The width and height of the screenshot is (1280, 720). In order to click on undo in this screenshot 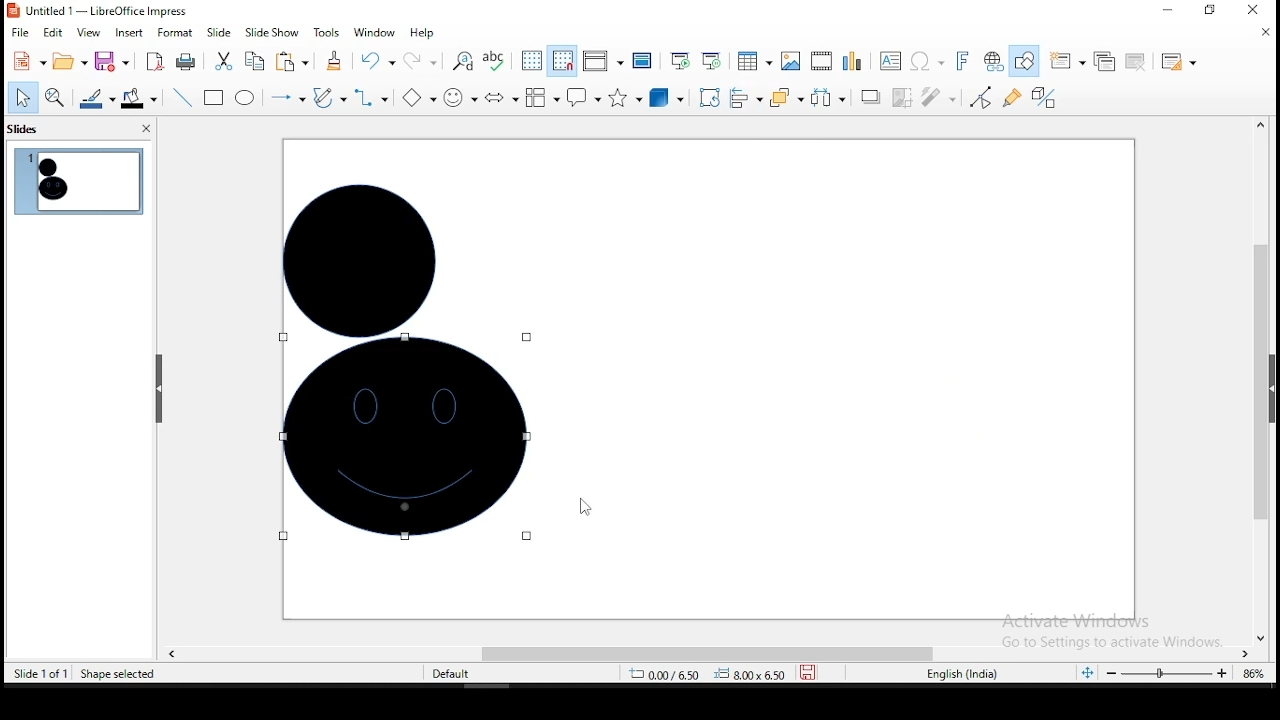, I will do `click(377, 61)`.